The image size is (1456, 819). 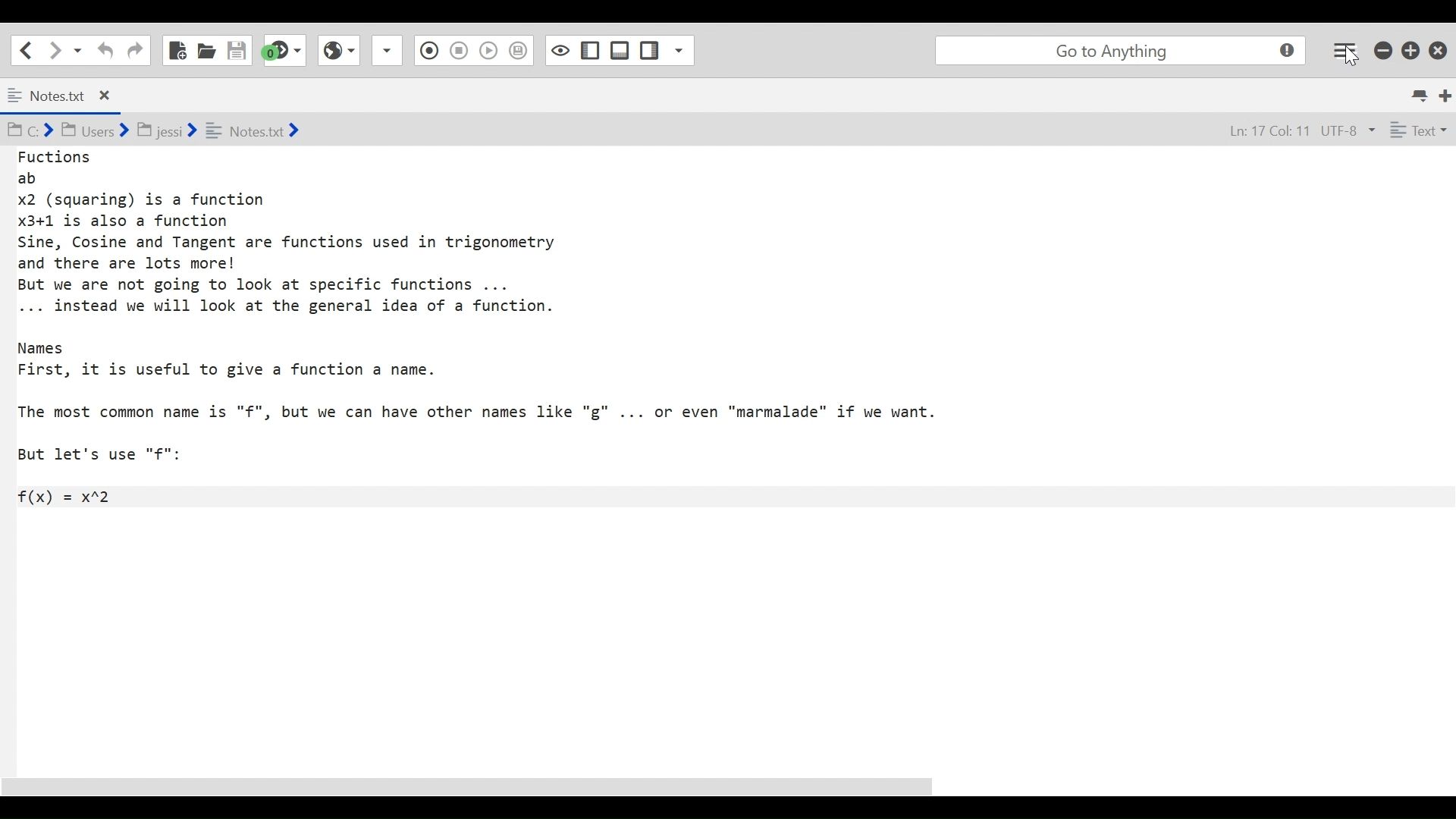 What do you see at coordinates (1346, 49) in the screenshot?
I see `Application menu` at bounding box center [1346, 49].